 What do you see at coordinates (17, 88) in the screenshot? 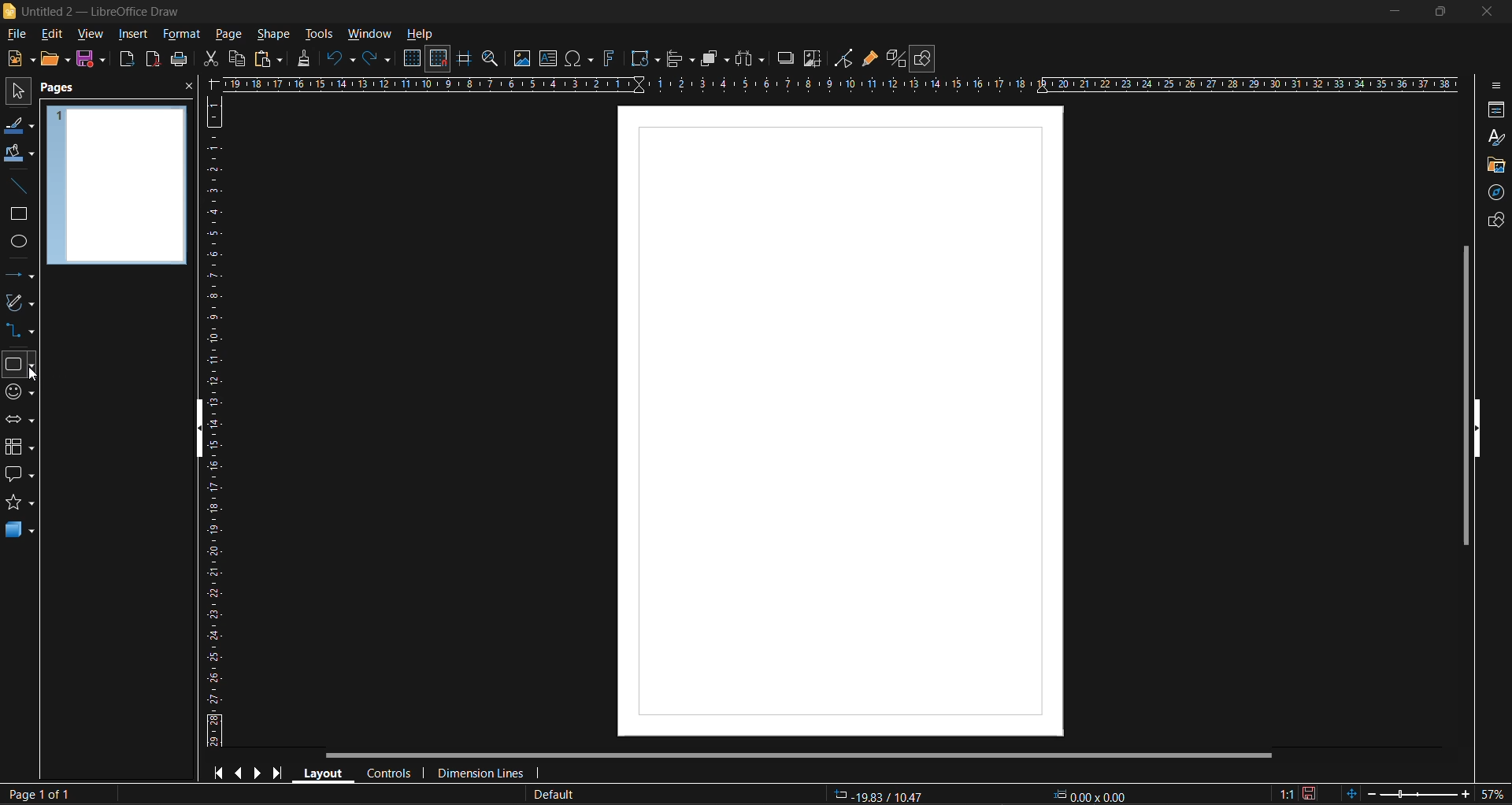
I see `select` at bounding box center [17, 88].